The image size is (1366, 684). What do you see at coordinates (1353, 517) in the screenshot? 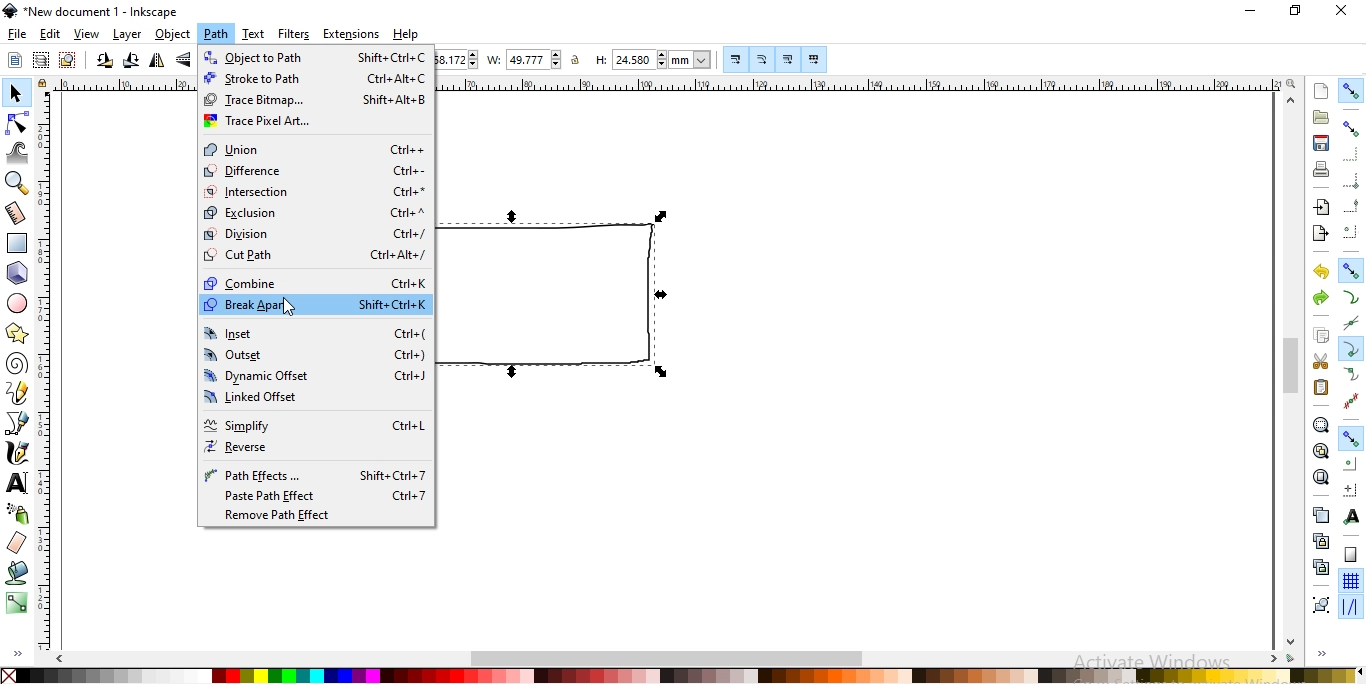
I see `snap text anchors and baselines` at bounding box center [1353, 517].